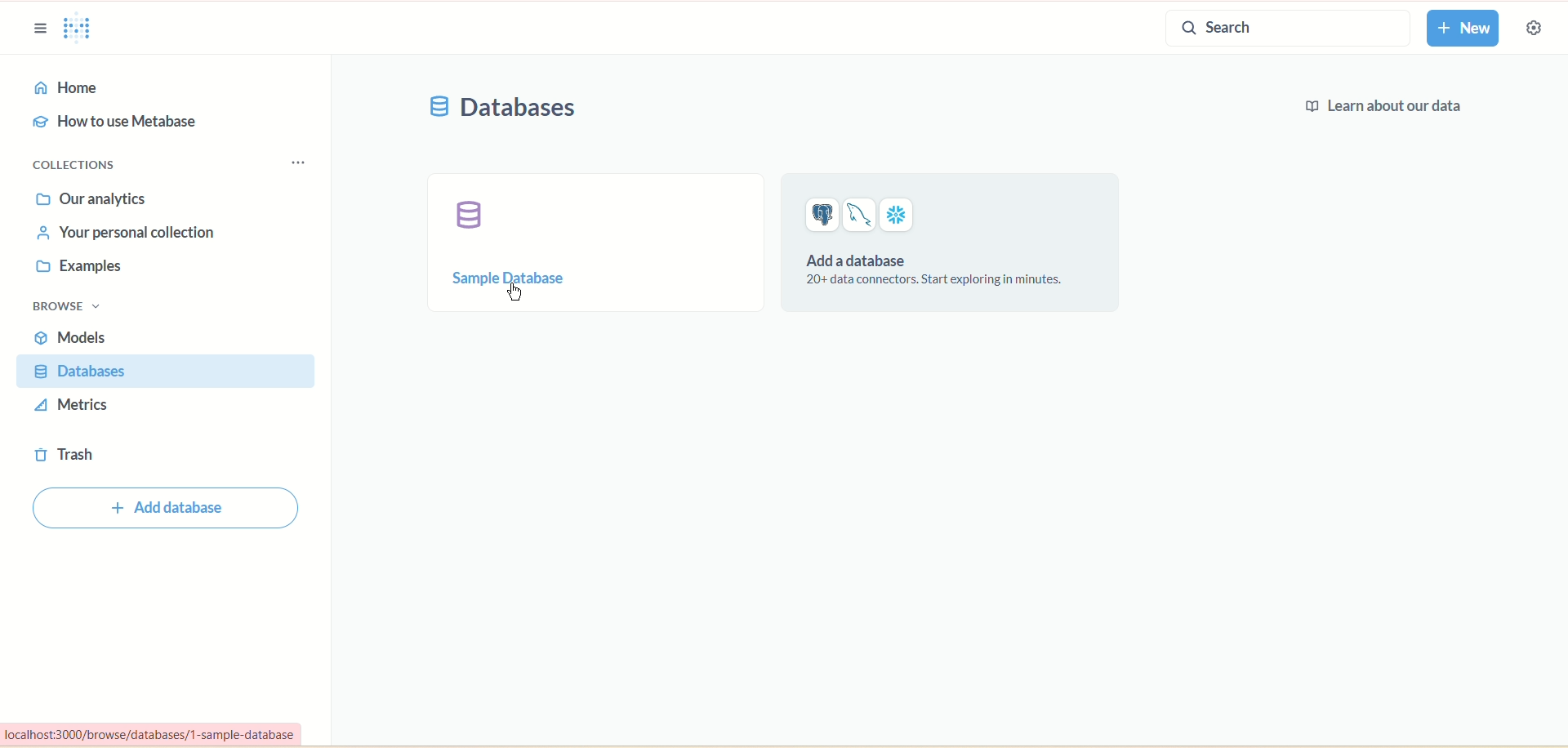  Describe the element at coordinates (71, 336) in the screenshot. I see `models` at that location.